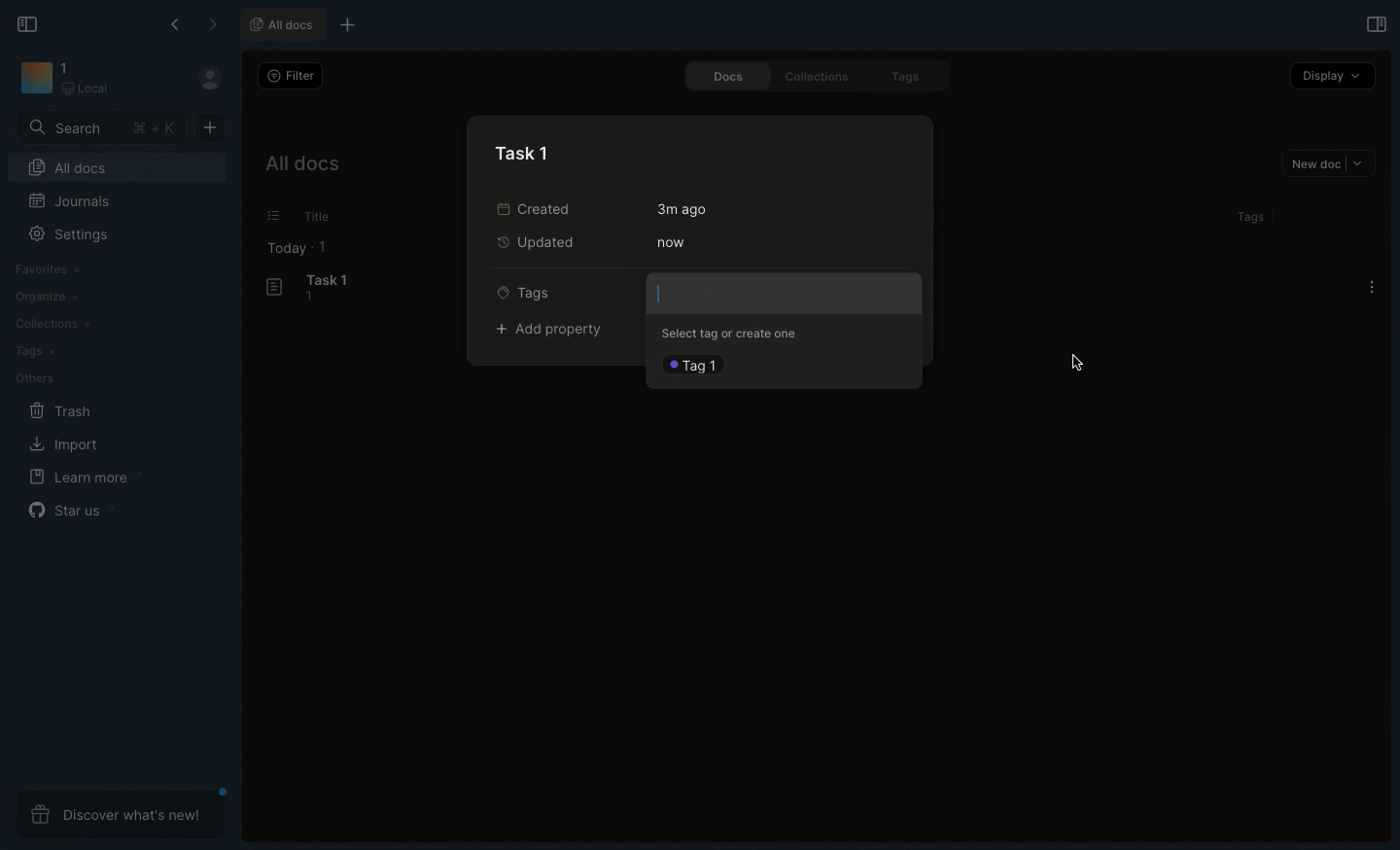  I want to click on 3m ago, so click(682, 208).